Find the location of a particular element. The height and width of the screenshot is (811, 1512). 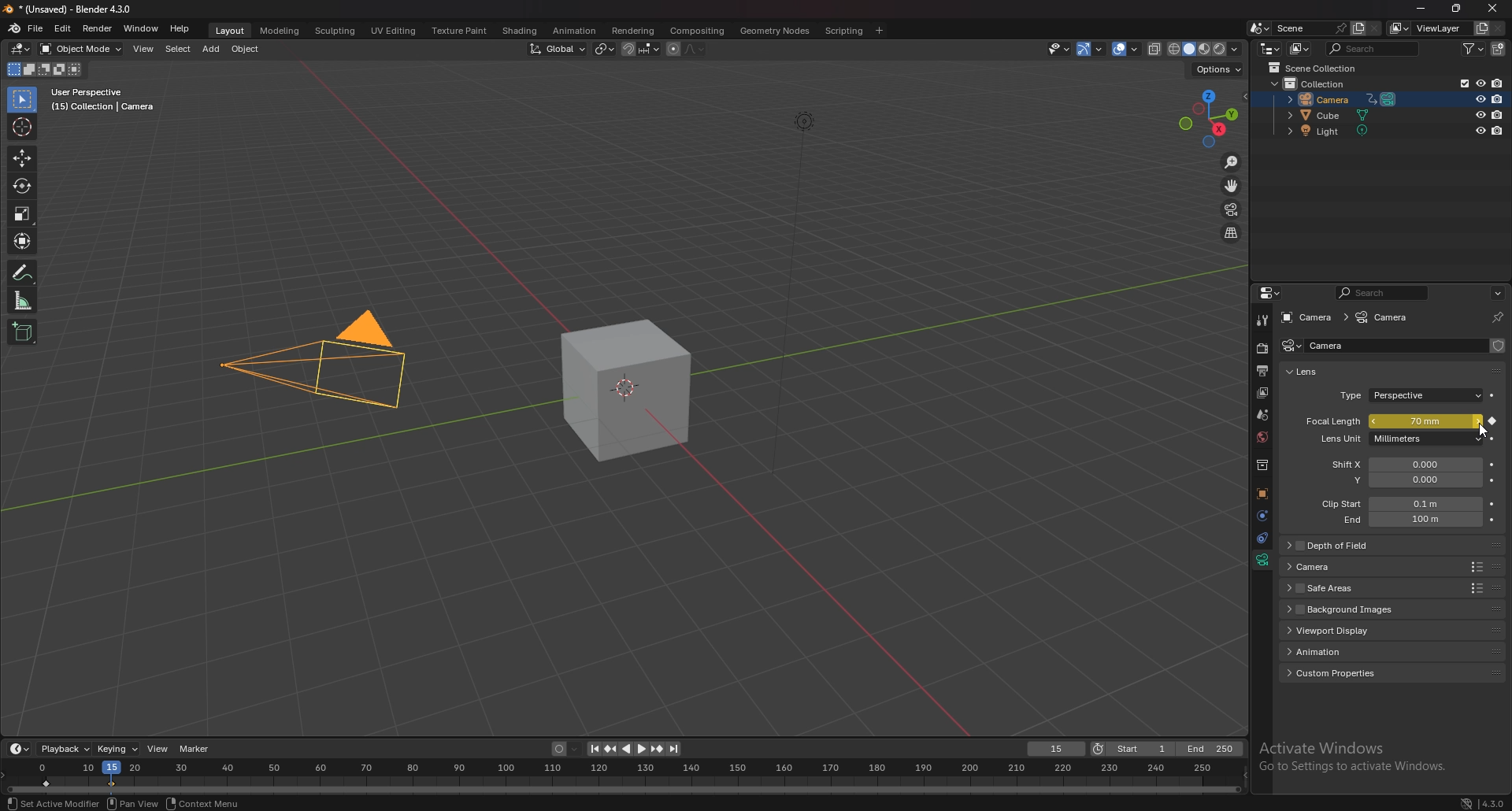

display mode is located at coordinates (1299, 49).